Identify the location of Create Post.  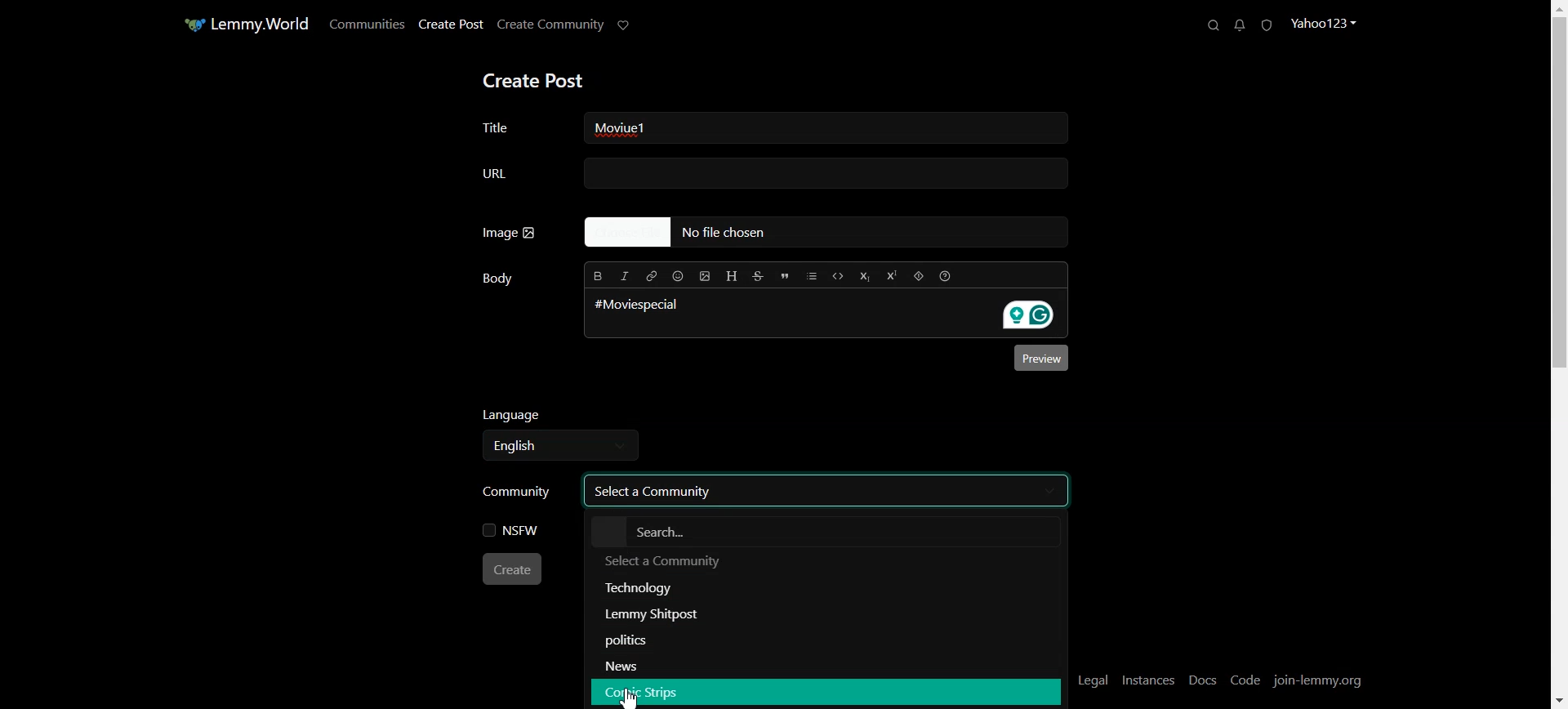
(455, 24).